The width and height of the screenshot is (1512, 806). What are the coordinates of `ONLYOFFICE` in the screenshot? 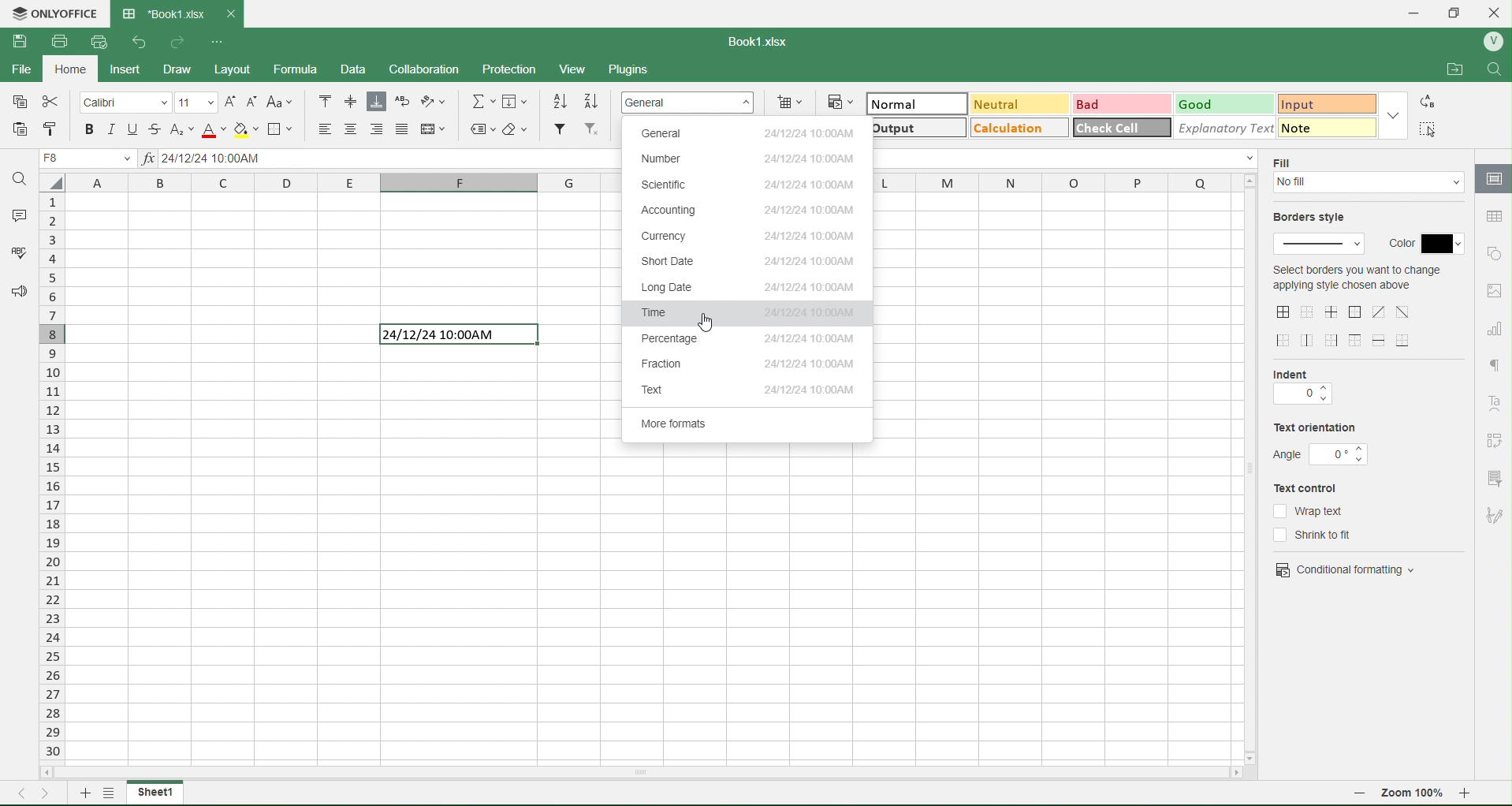 It's located at (54, 12).